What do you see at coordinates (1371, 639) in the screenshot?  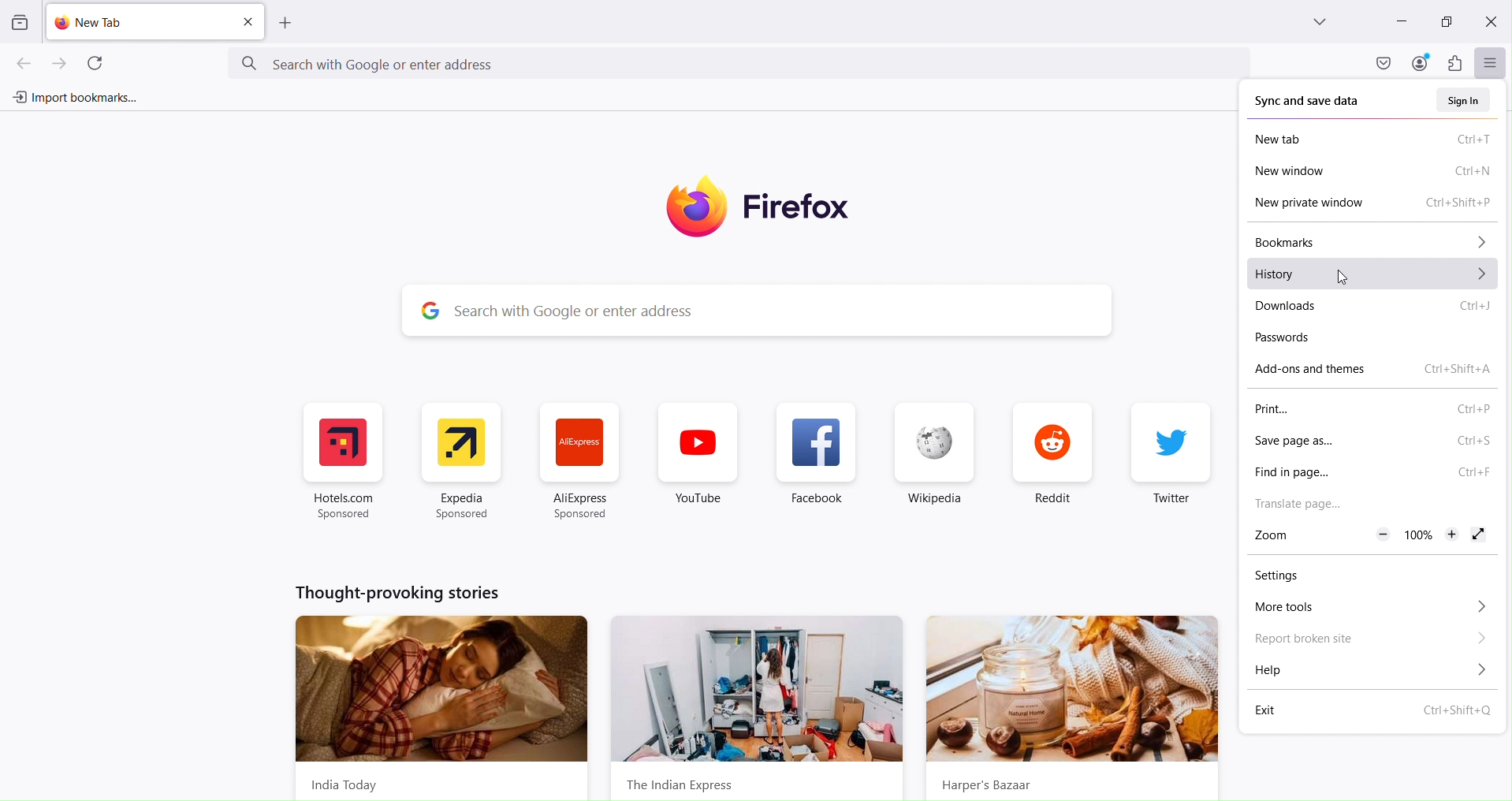 I see `Report broken sites` at bounding box center [1371, 639].